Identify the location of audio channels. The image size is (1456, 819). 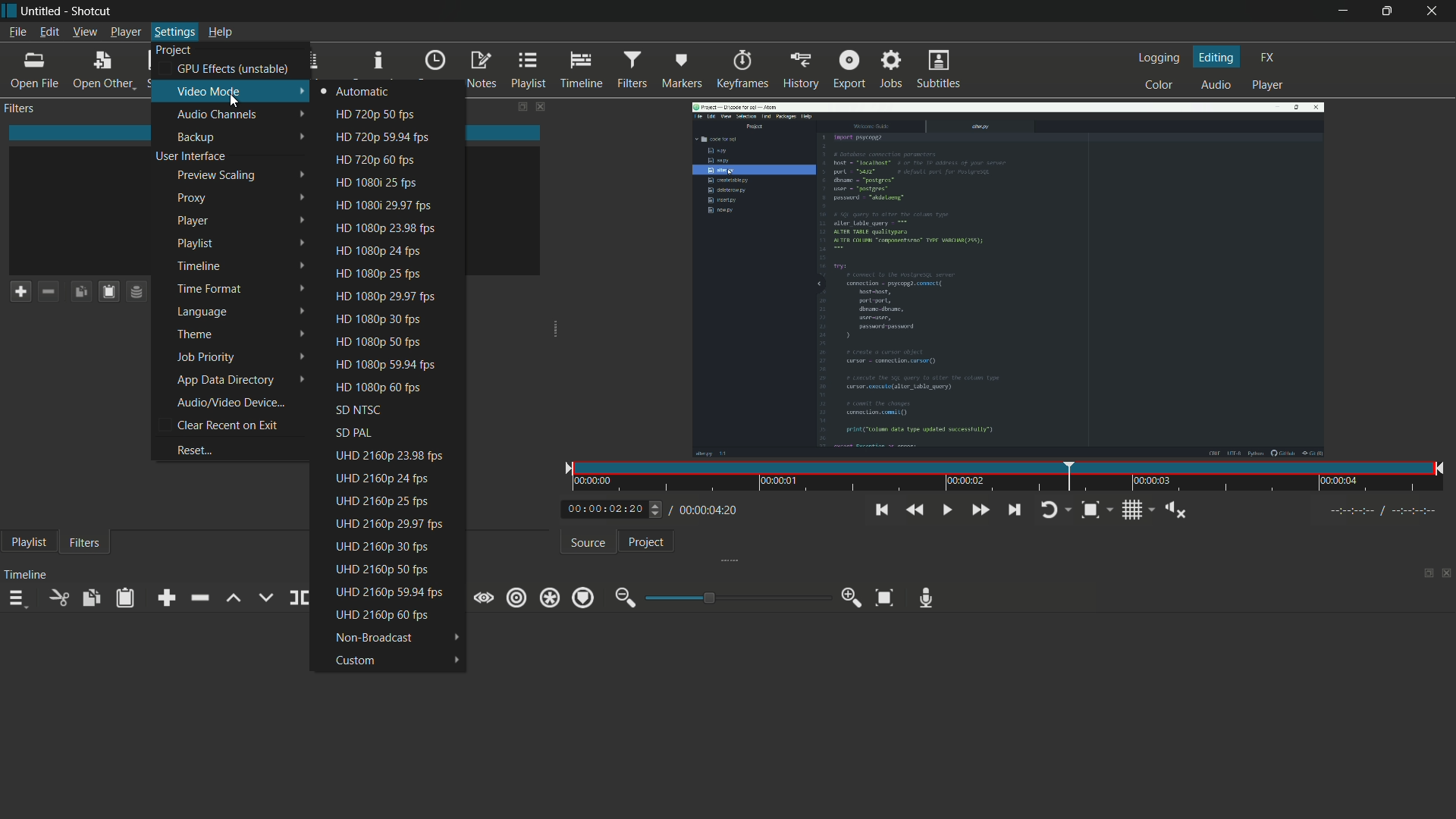
(231, 115).